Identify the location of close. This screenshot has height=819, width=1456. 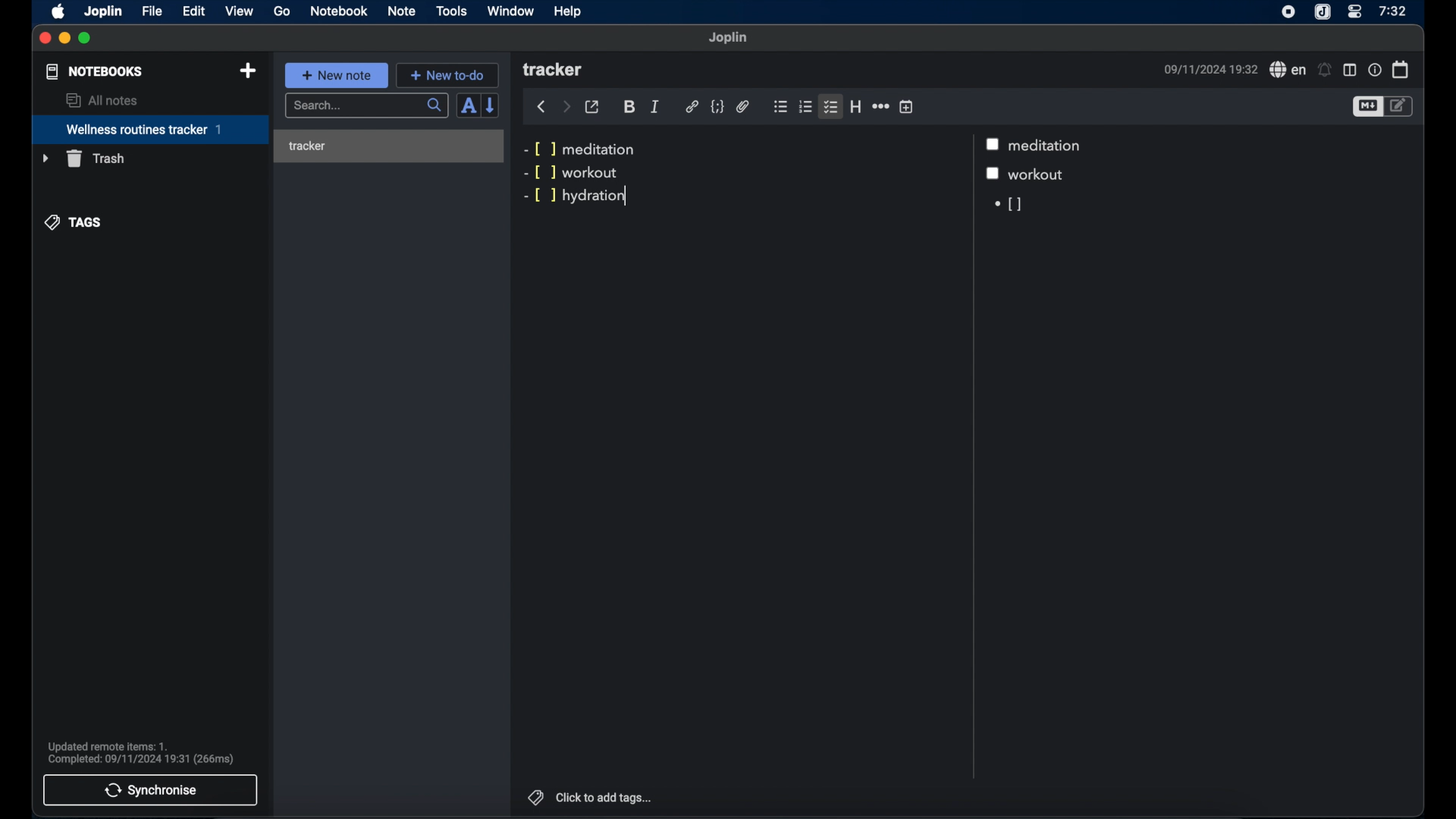
(45, 39).